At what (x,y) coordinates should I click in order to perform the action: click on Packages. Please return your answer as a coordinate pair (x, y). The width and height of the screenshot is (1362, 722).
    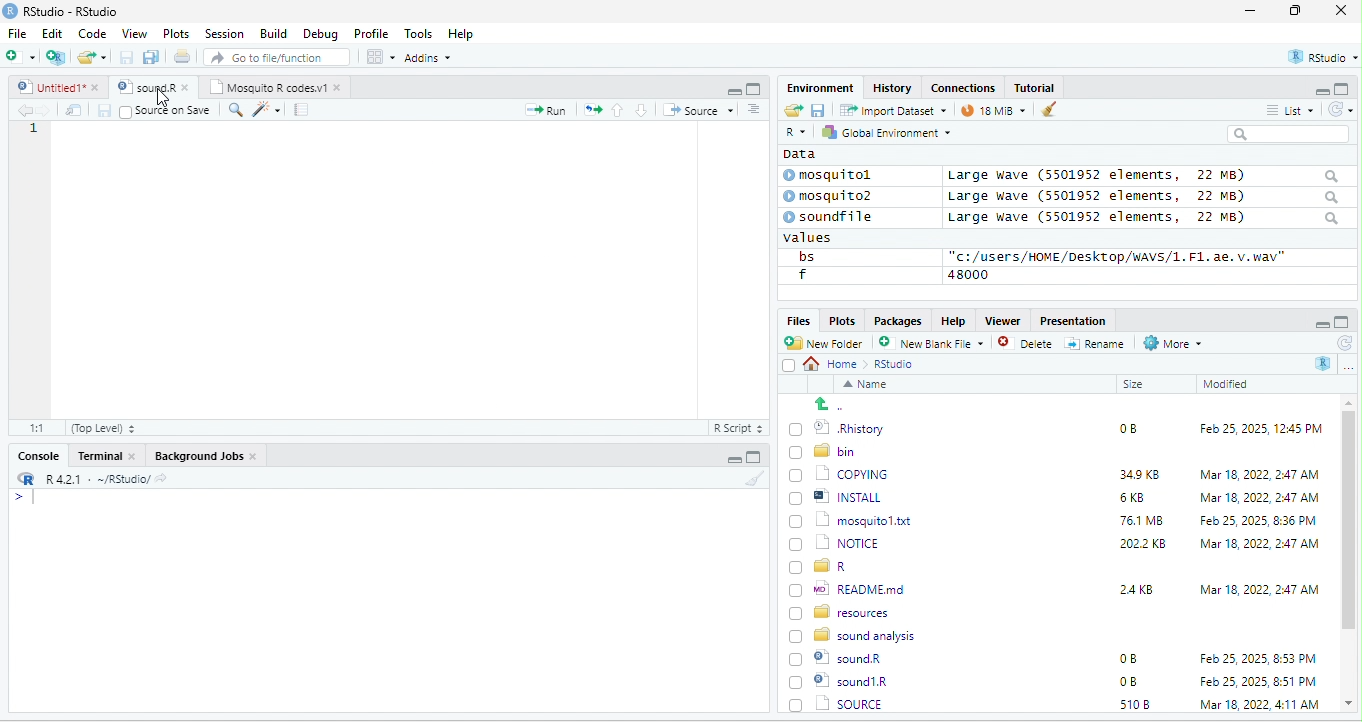
    Looking at the image, I should click on (901, 320).